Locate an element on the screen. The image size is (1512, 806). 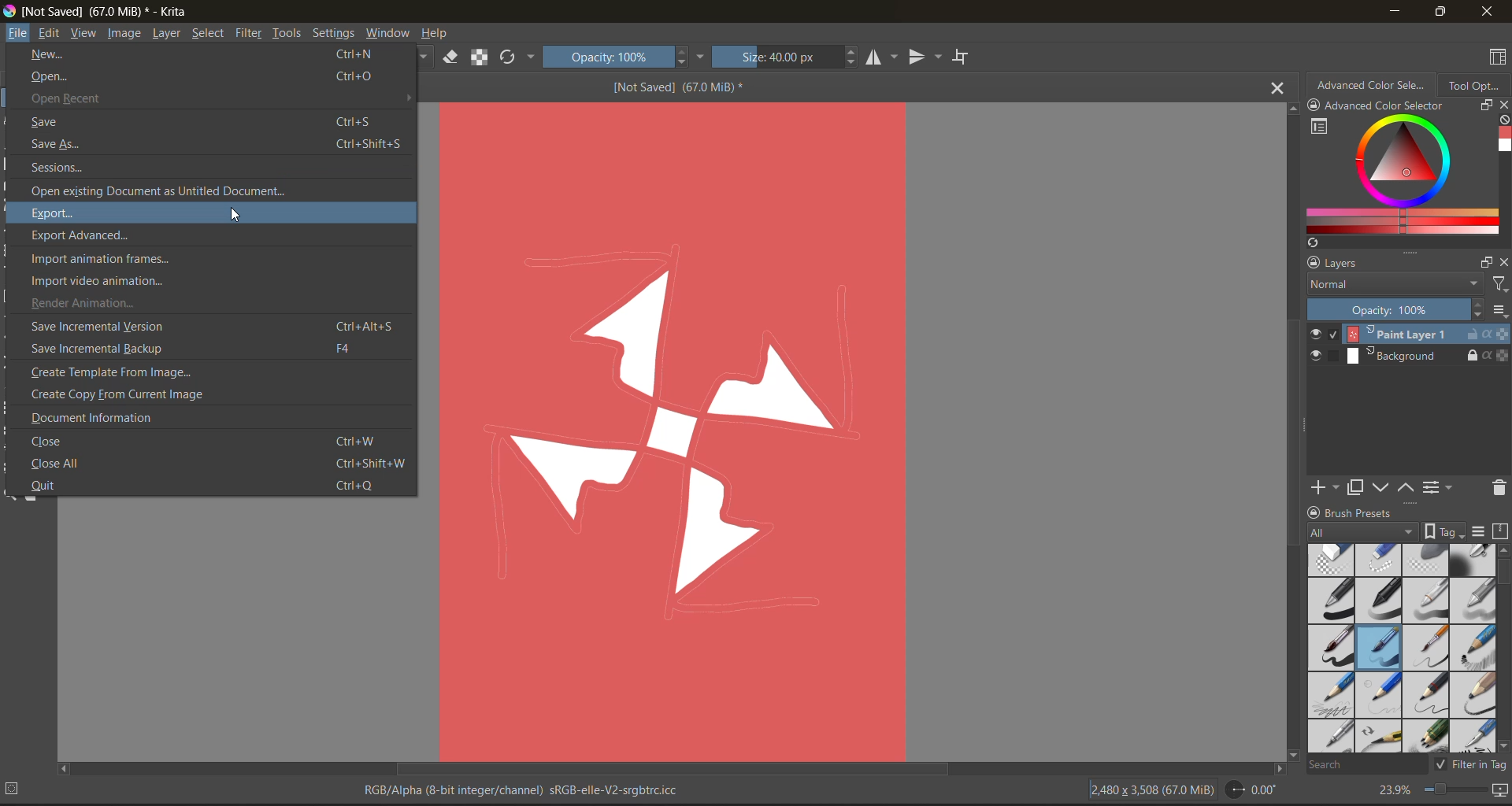
open is located at coordinates (206, 76).